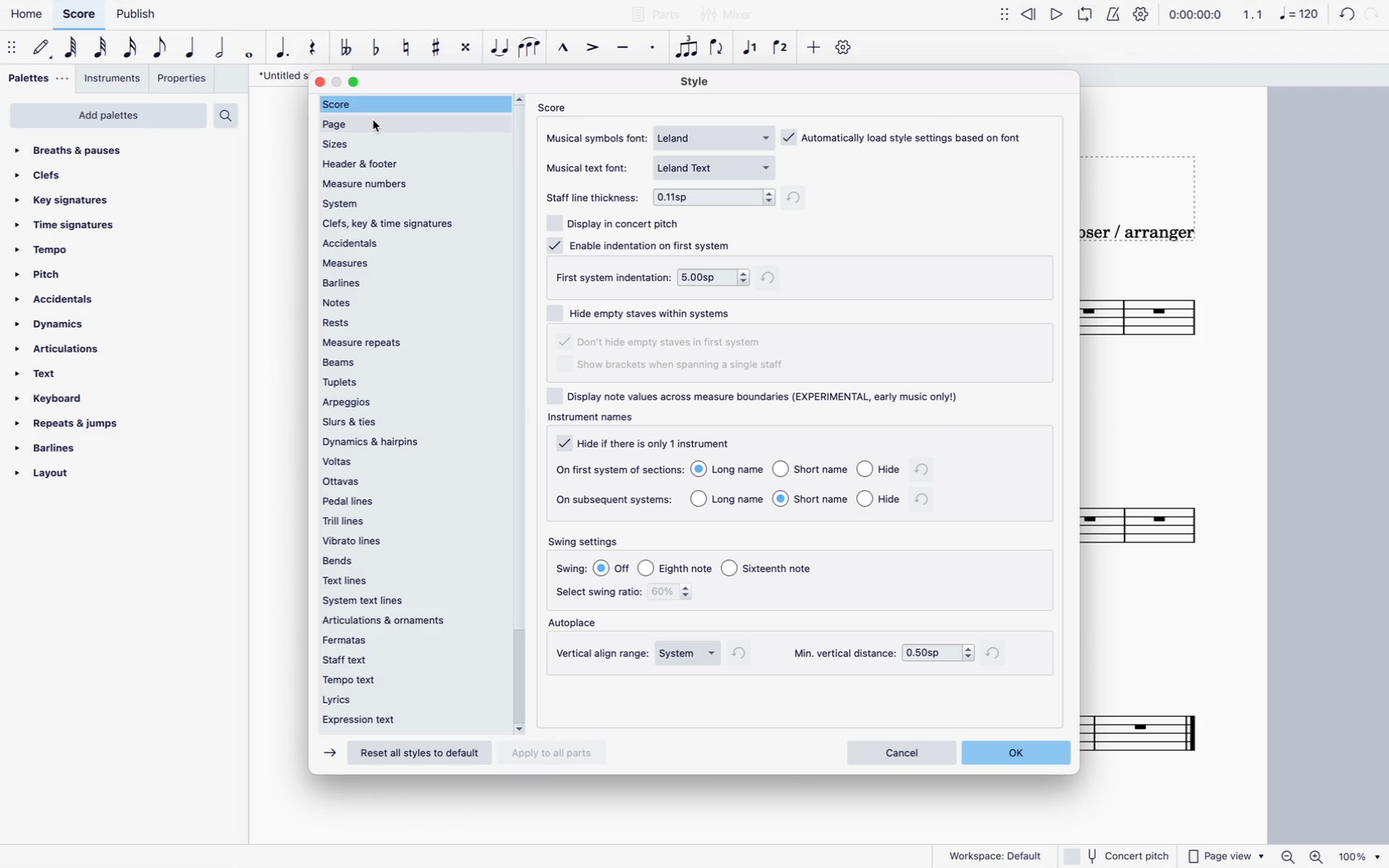  I want to click on barlines, so click(408, 281).